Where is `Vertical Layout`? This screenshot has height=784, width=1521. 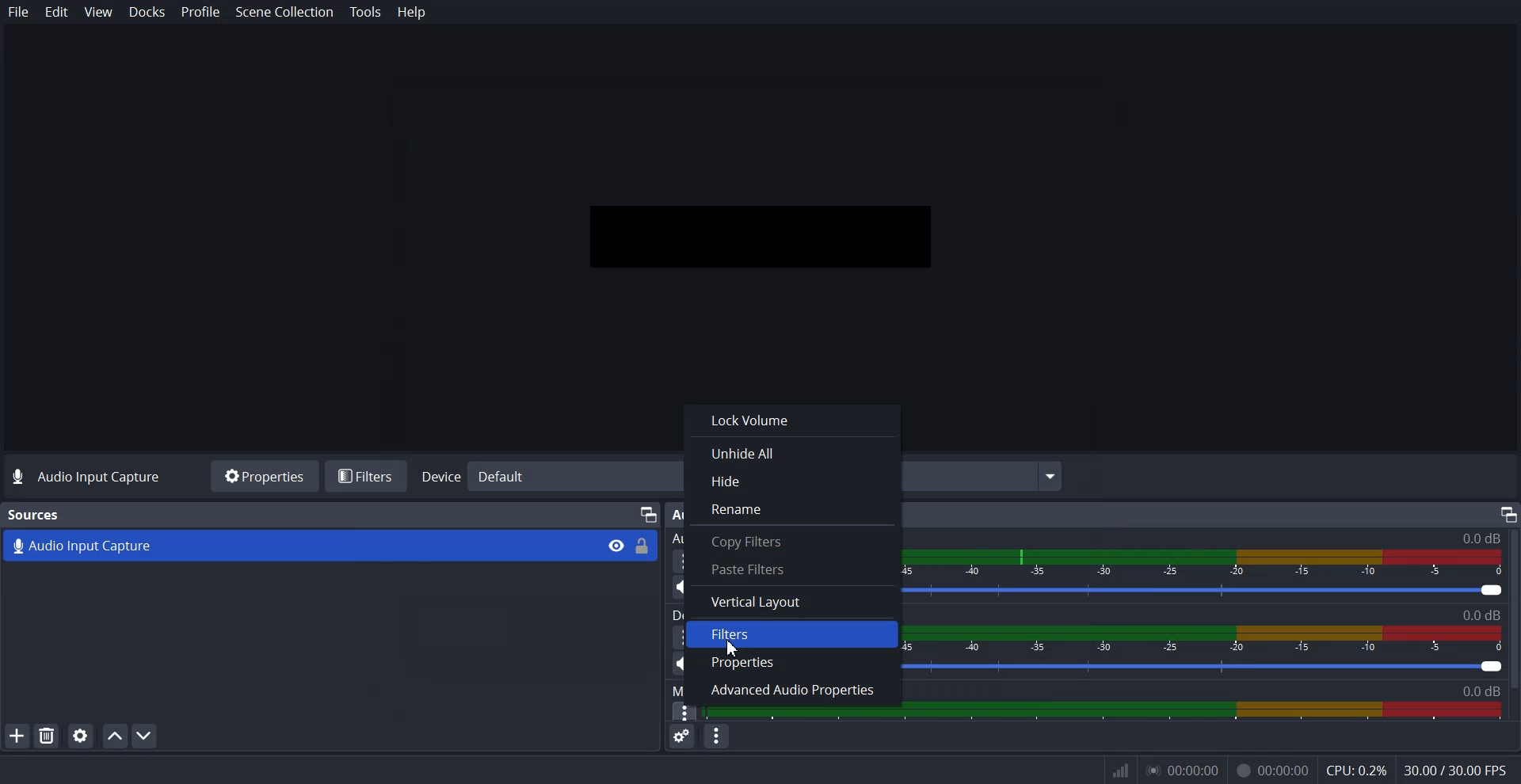
Vertical Layout is located at coordinates (802, 602).